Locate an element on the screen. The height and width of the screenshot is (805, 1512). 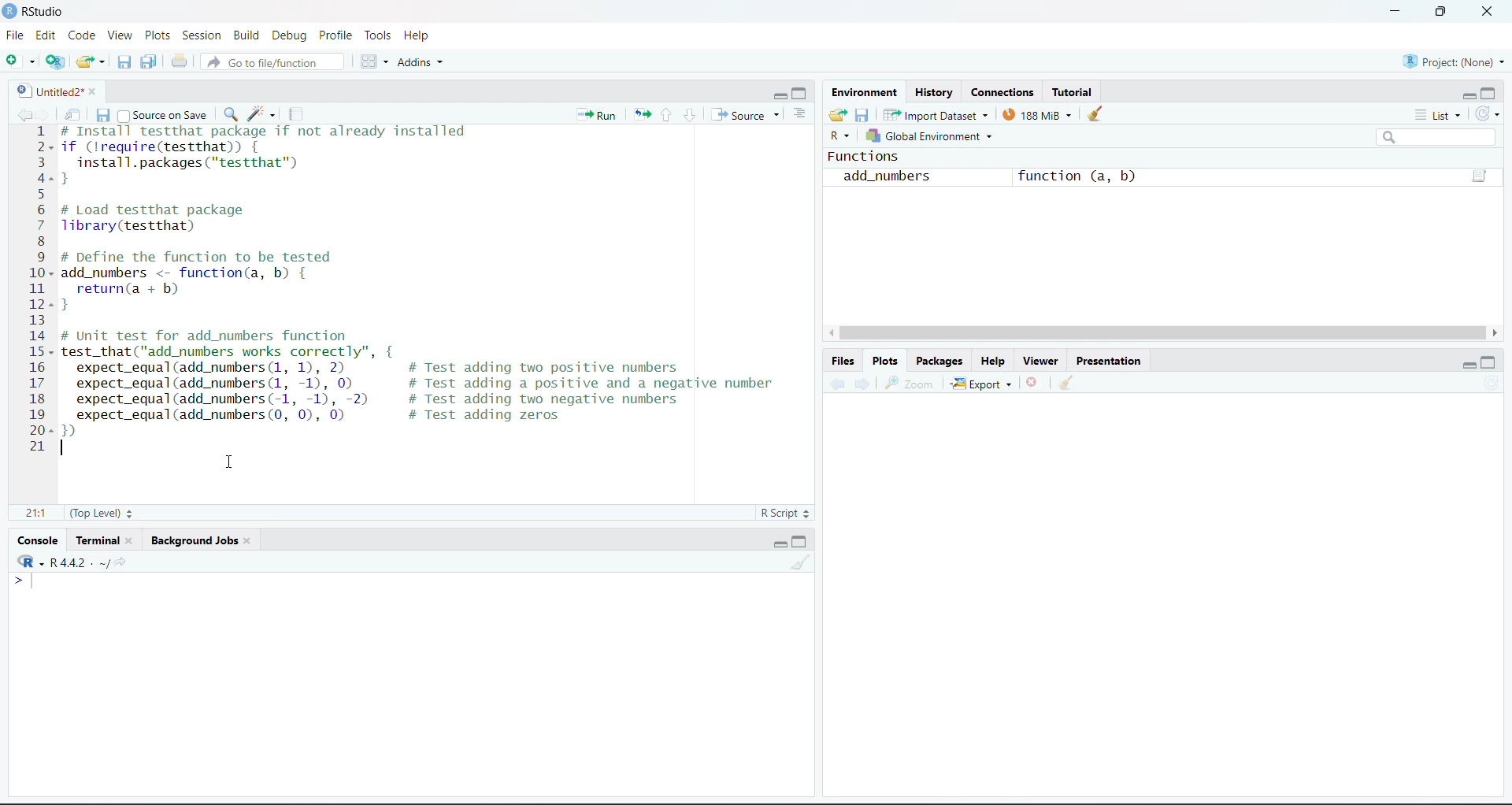
rerun is located at coordinates (642, 115).